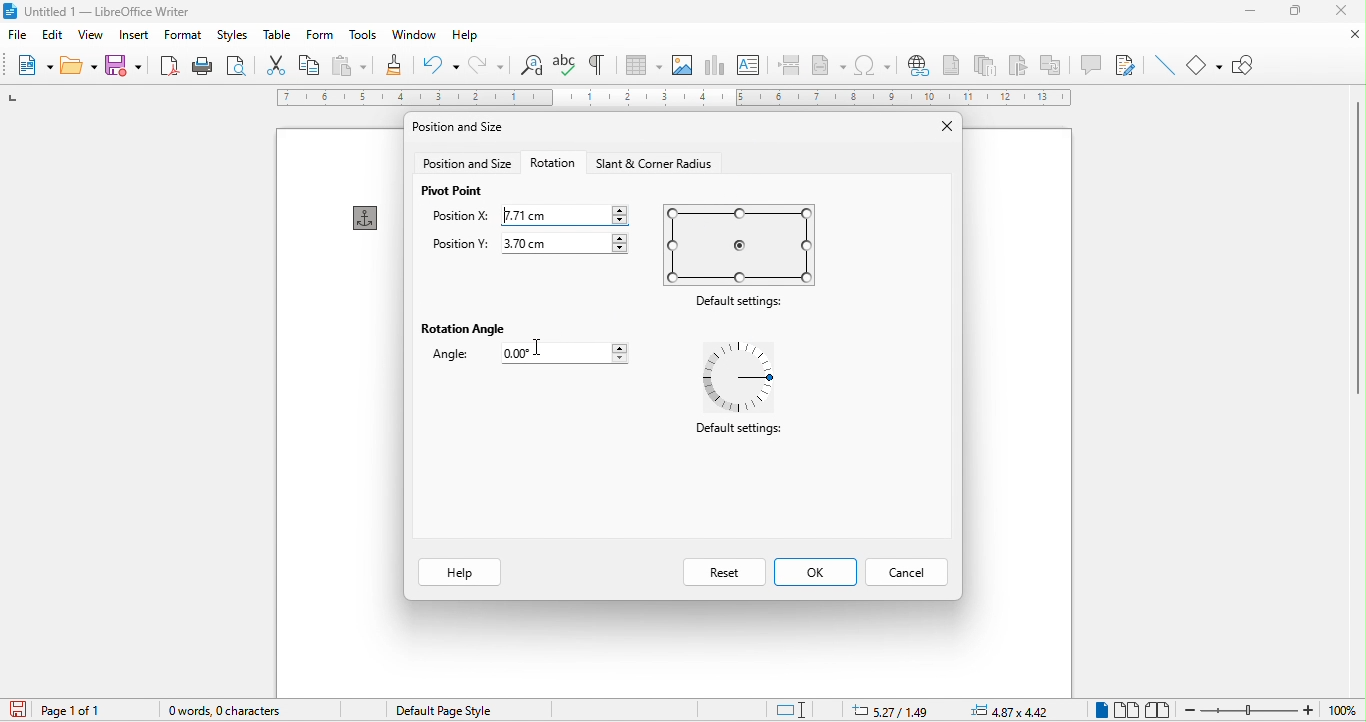 This screenshot has width=1366, height=722. What do you see at coordinates (183, 36) in the screenshot?
I see `format` at bounding box center [183, 36].